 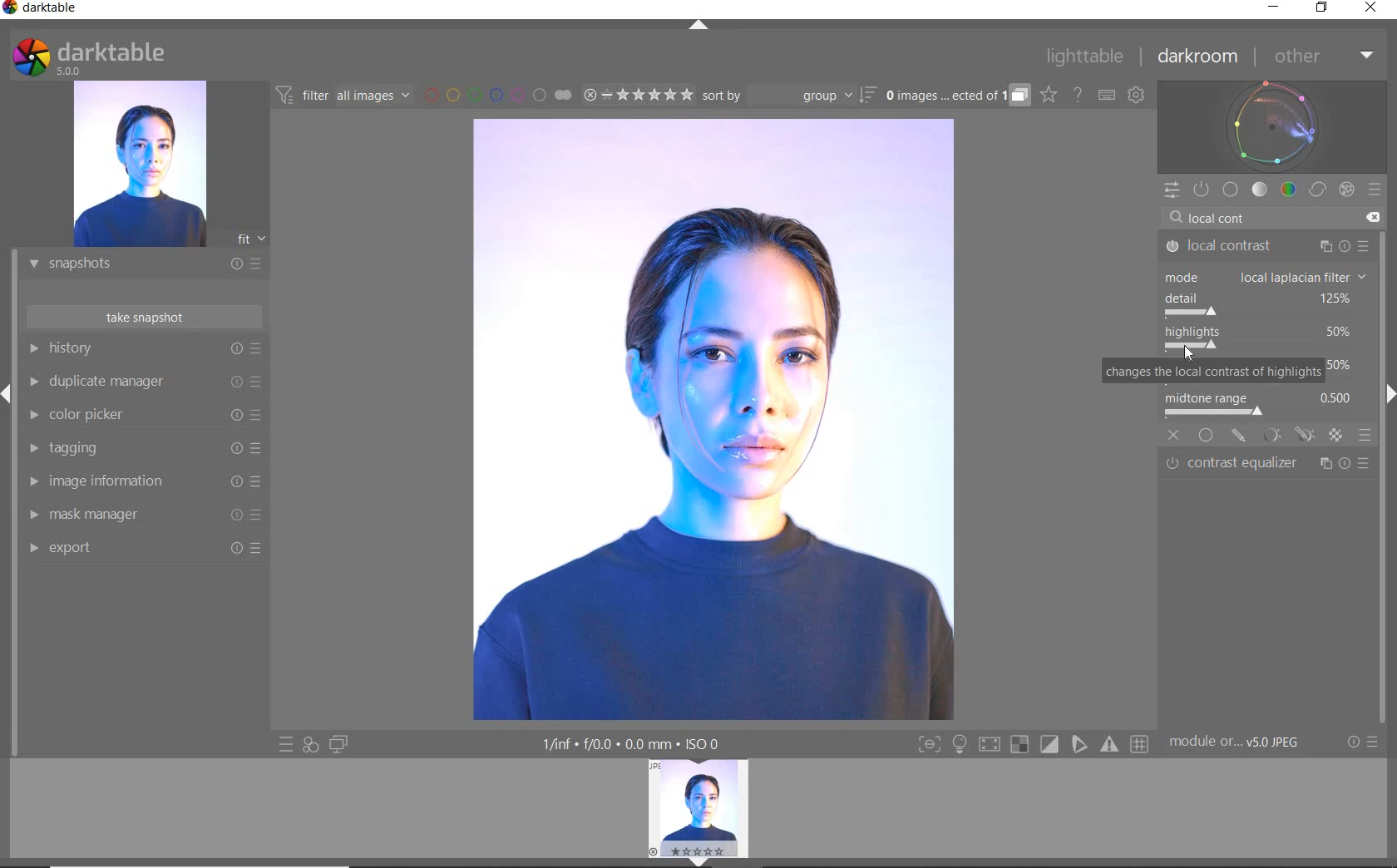 I want to click on MASK OPTION, so click(x=1239, y=435).